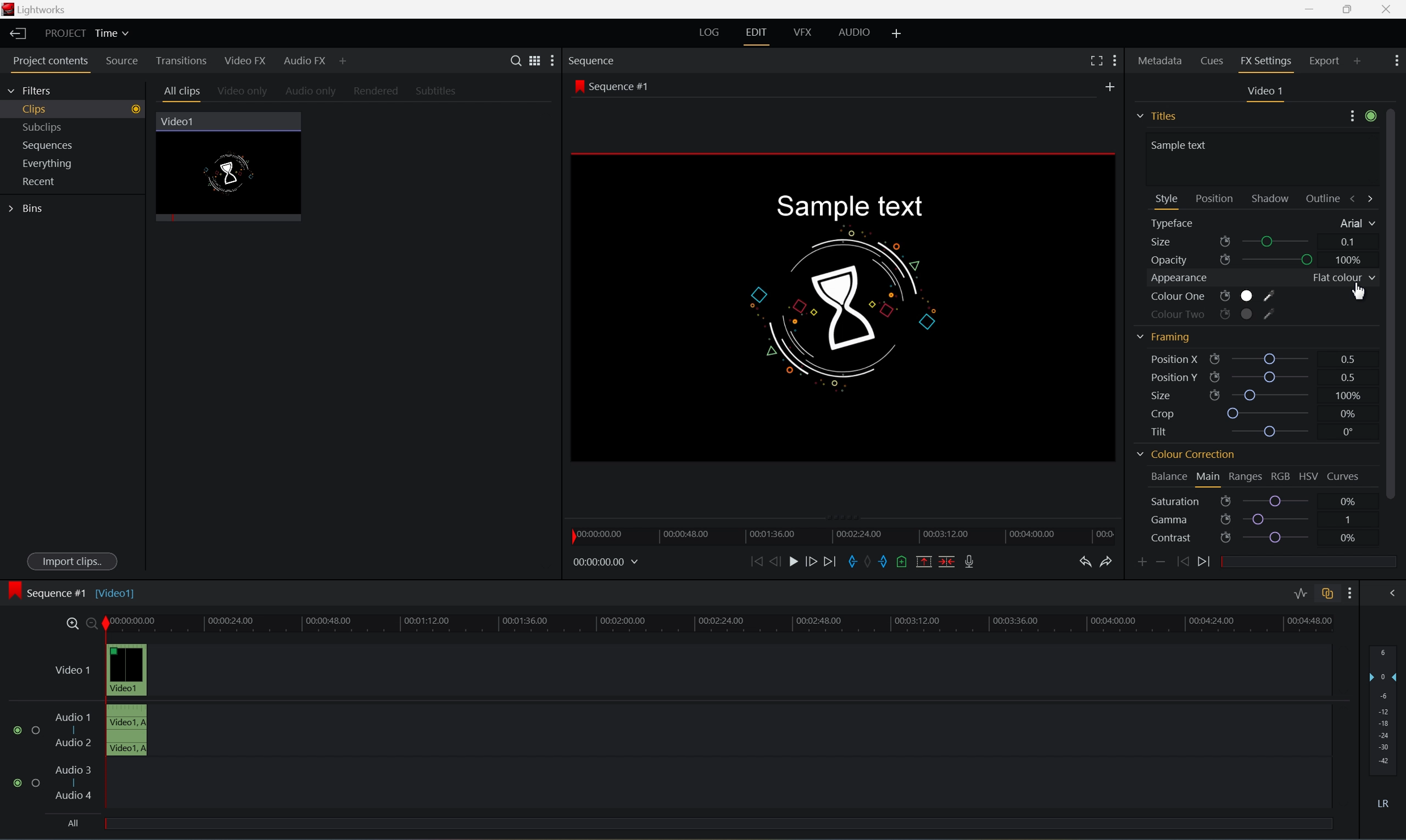 Image resolution: width=1406 pixels, height=840 pixels. I want to click on audio, so click(860, 32).